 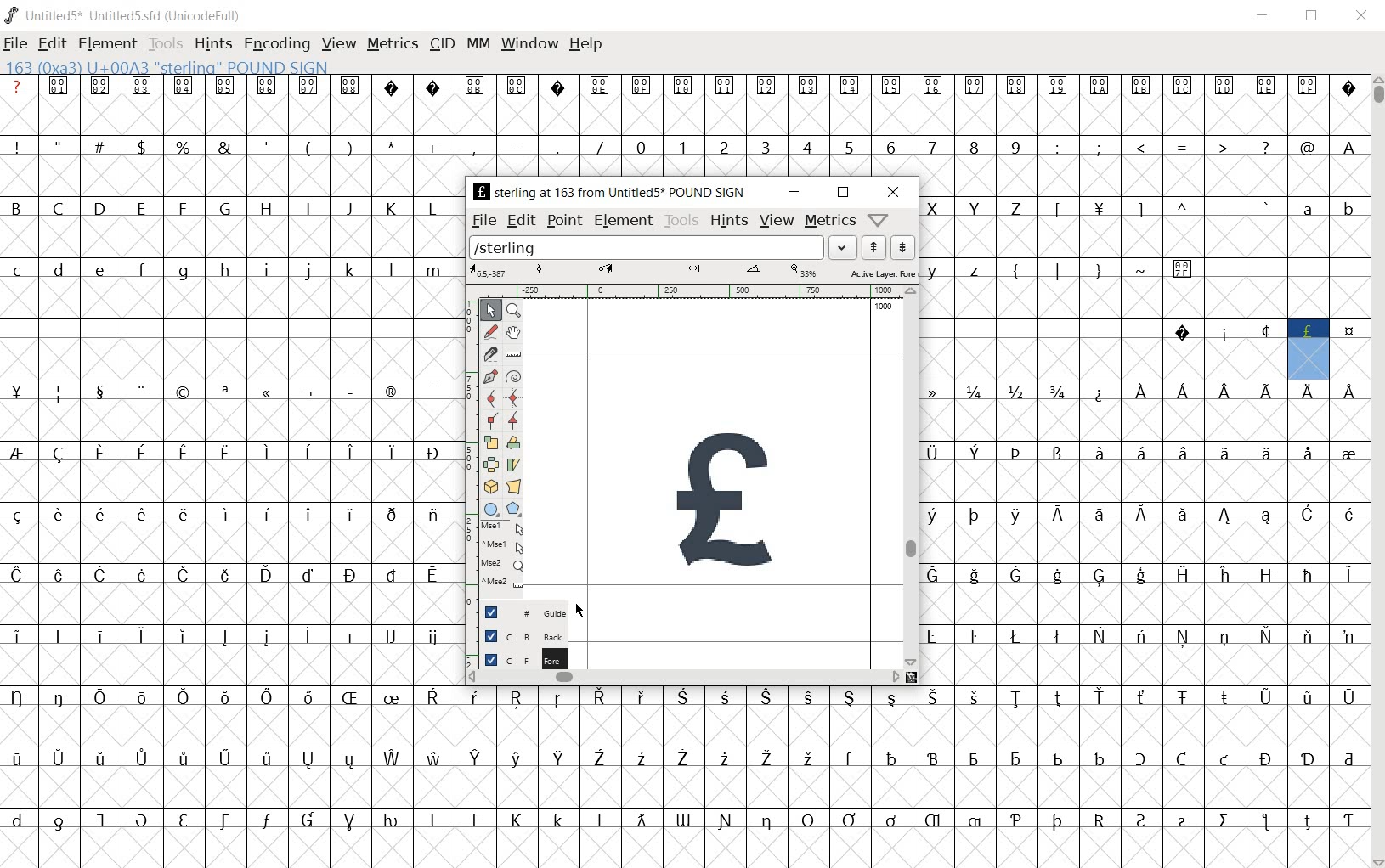 What do you see at coordinates (640, 697) in the screenshot?
I see `Symbol` at bounding box center [640, 697].